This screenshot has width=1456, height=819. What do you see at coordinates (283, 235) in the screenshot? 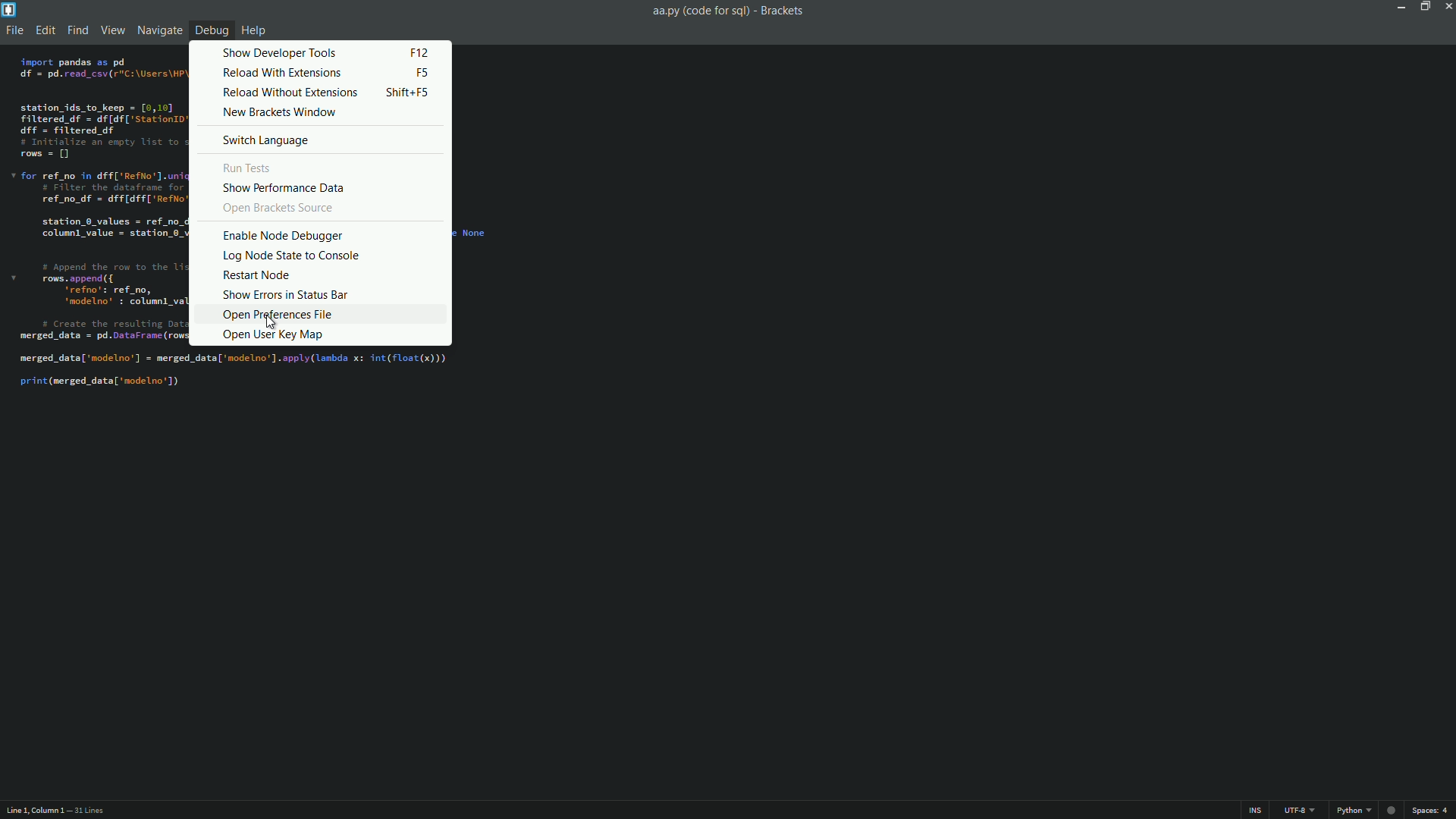
I see `enable node debugger` at bounding box center [283, 235].